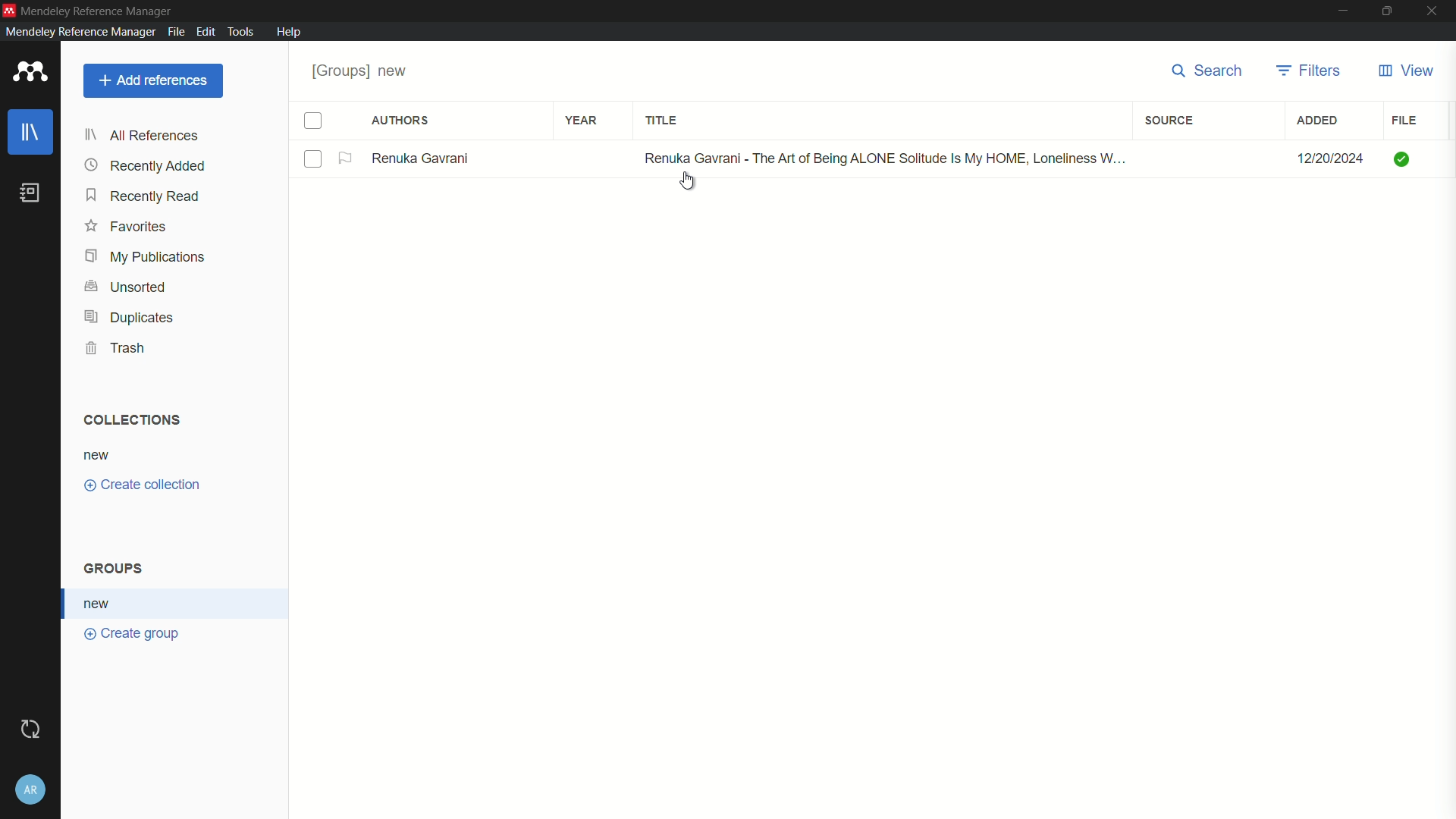 The height and width of the screenshot is (819, 1456). I want to click on create group, so click(133, 635).